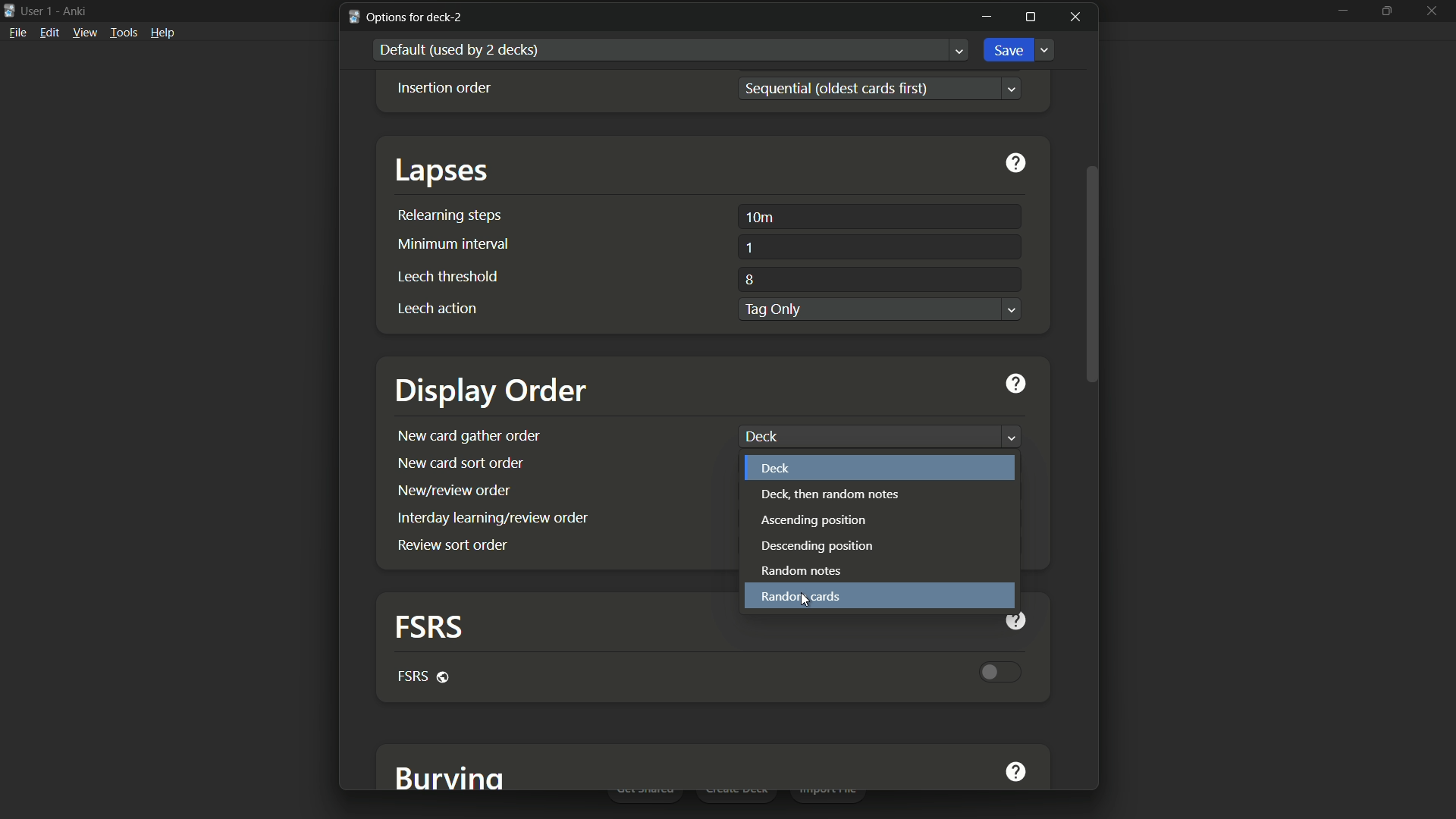  I want to click on minimum interval, so click(450, 243).